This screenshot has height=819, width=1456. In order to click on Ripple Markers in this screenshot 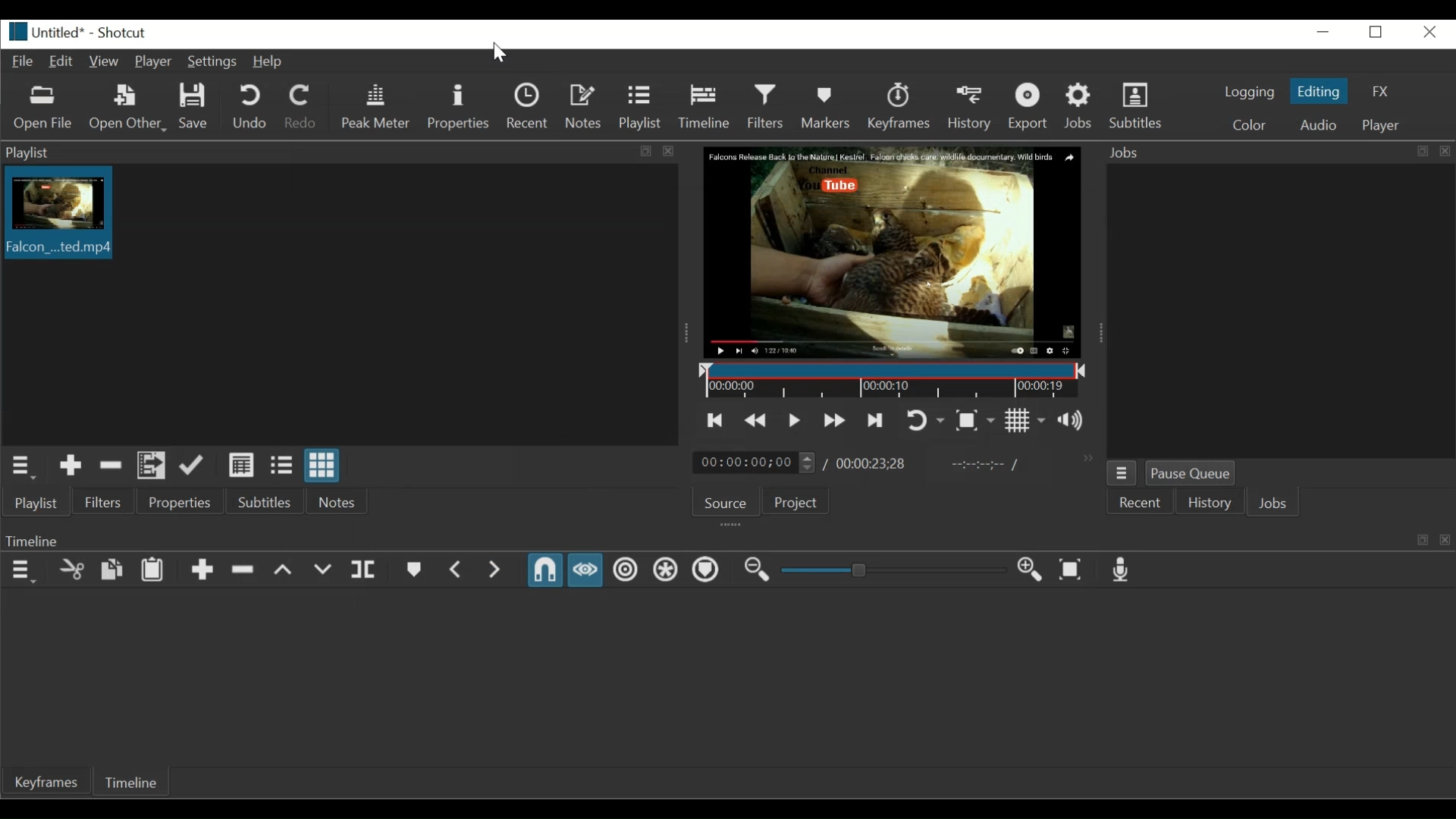, I will do `click(708, 571)`.